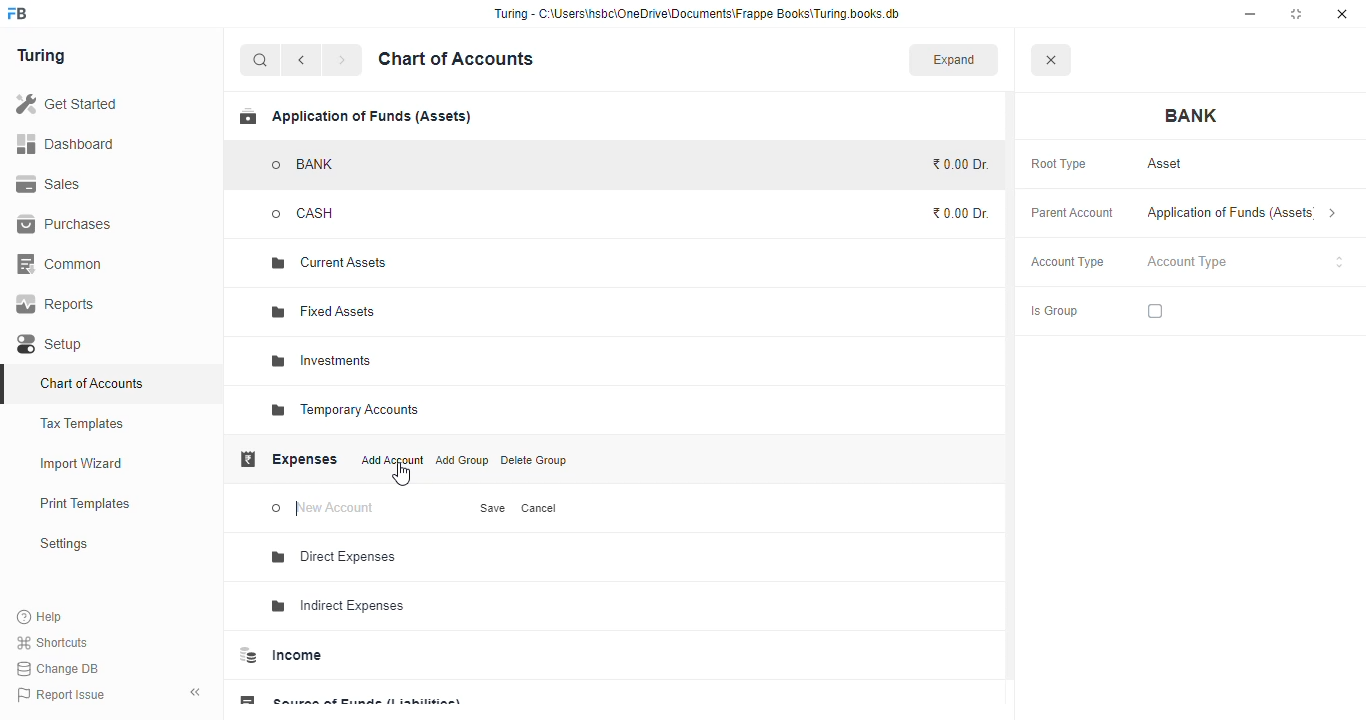 The width and height of the screenshot is (1366, 720). What do you see at coordinates (1059, 165) in the screenshot?
I see `root type` at bounding box center [1059, 165].